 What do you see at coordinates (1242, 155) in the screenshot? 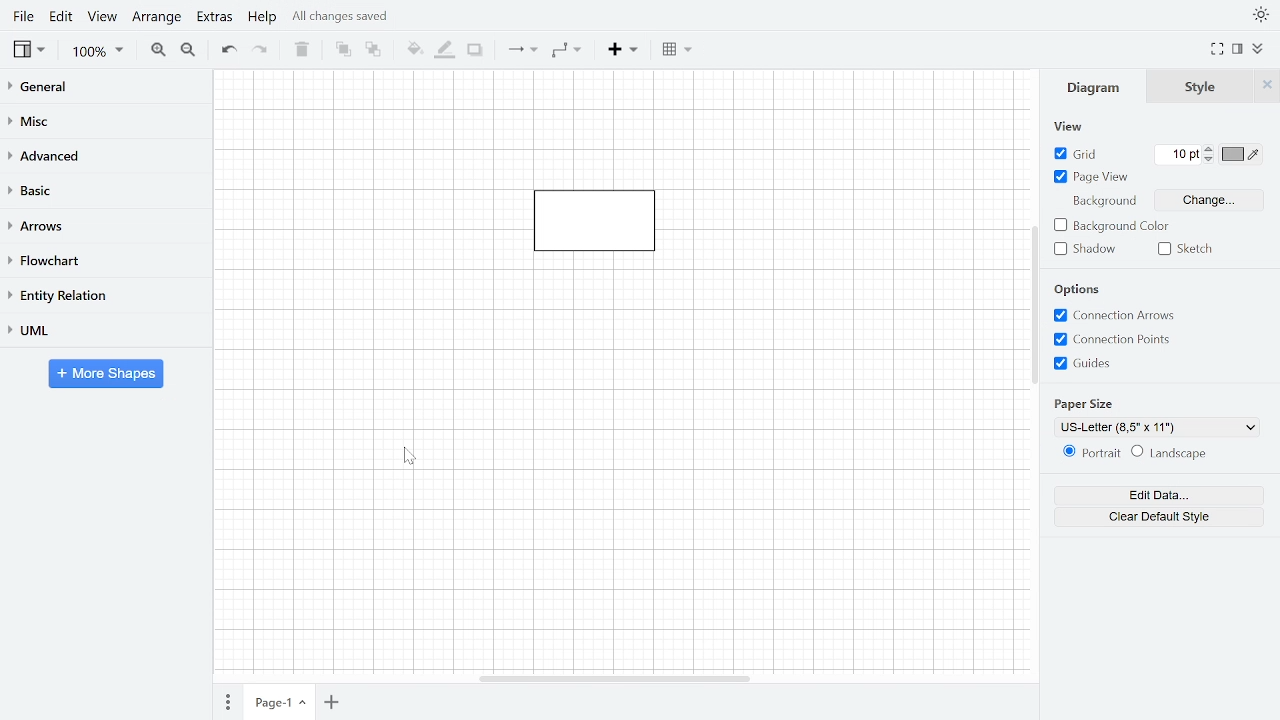
I see `Grid color` at bounding box center [1242, 155].